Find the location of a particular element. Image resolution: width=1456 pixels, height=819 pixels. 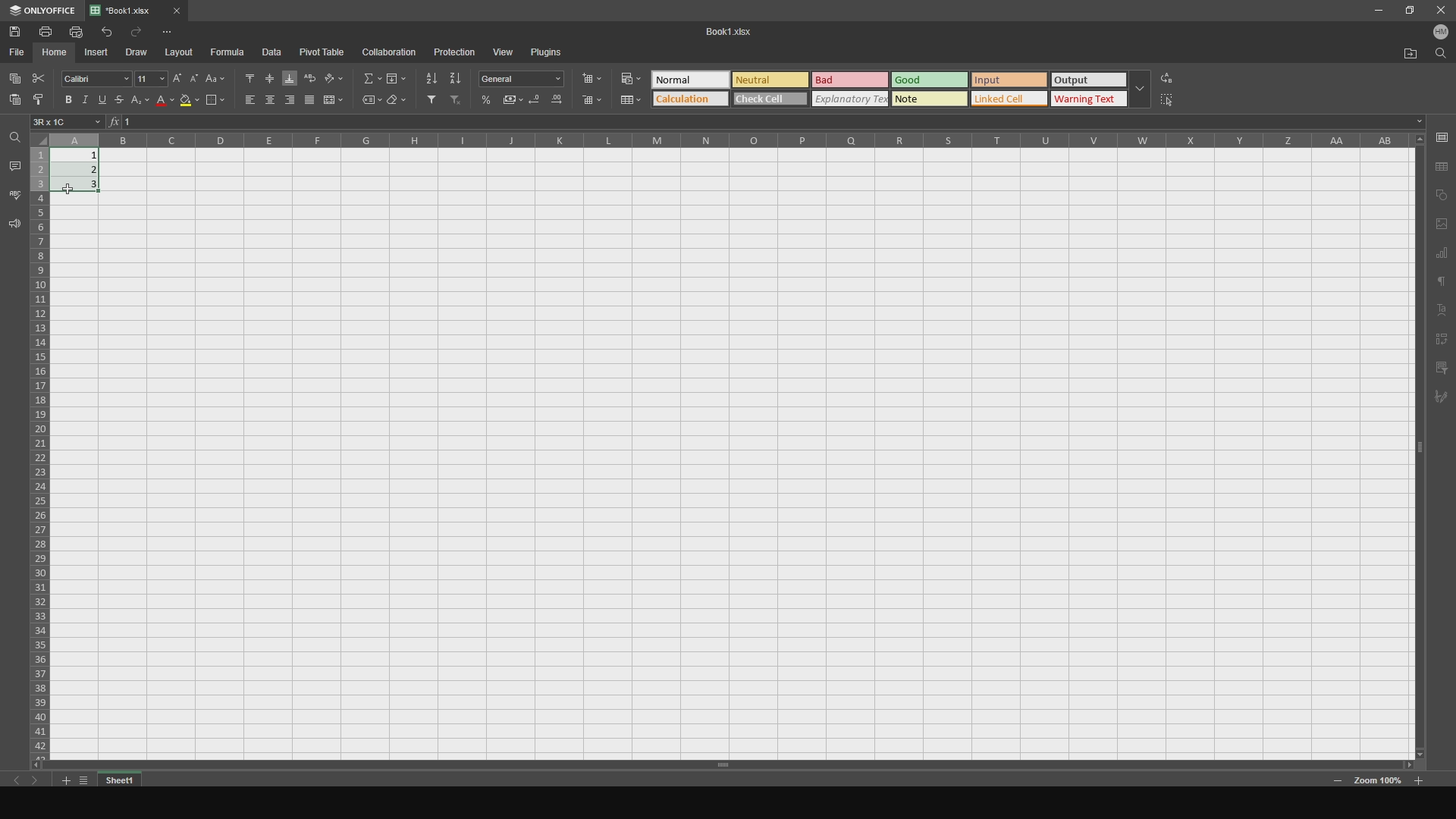

print is located at coordinates (49, 32).